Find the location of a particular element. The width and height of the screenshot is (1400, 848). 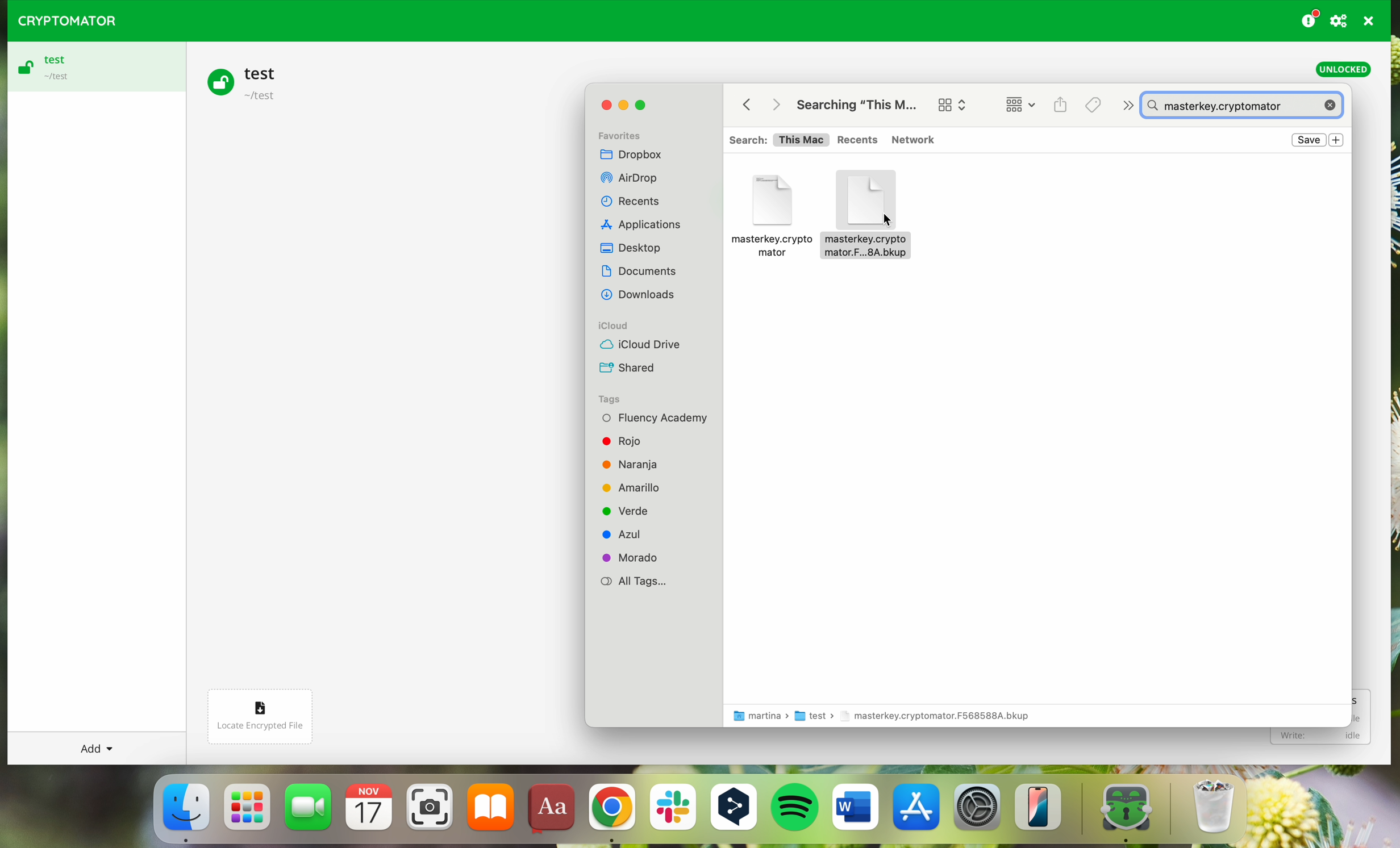

donating button is located at coordinates (1310, 19).